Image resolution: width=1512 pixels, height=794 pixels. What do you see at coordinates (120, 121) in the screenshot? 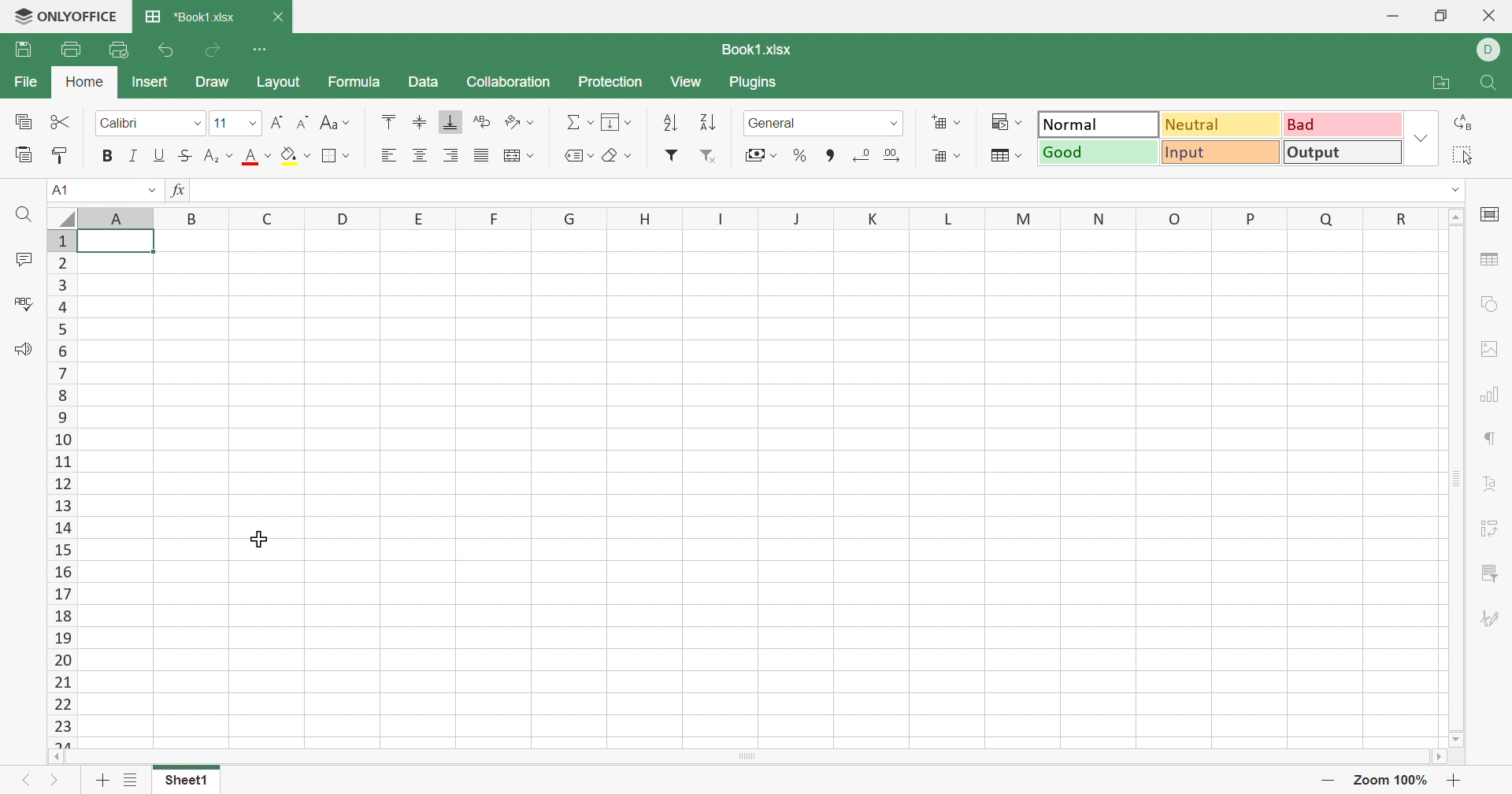
I see `Calibri` at bounding box center [120, 121].